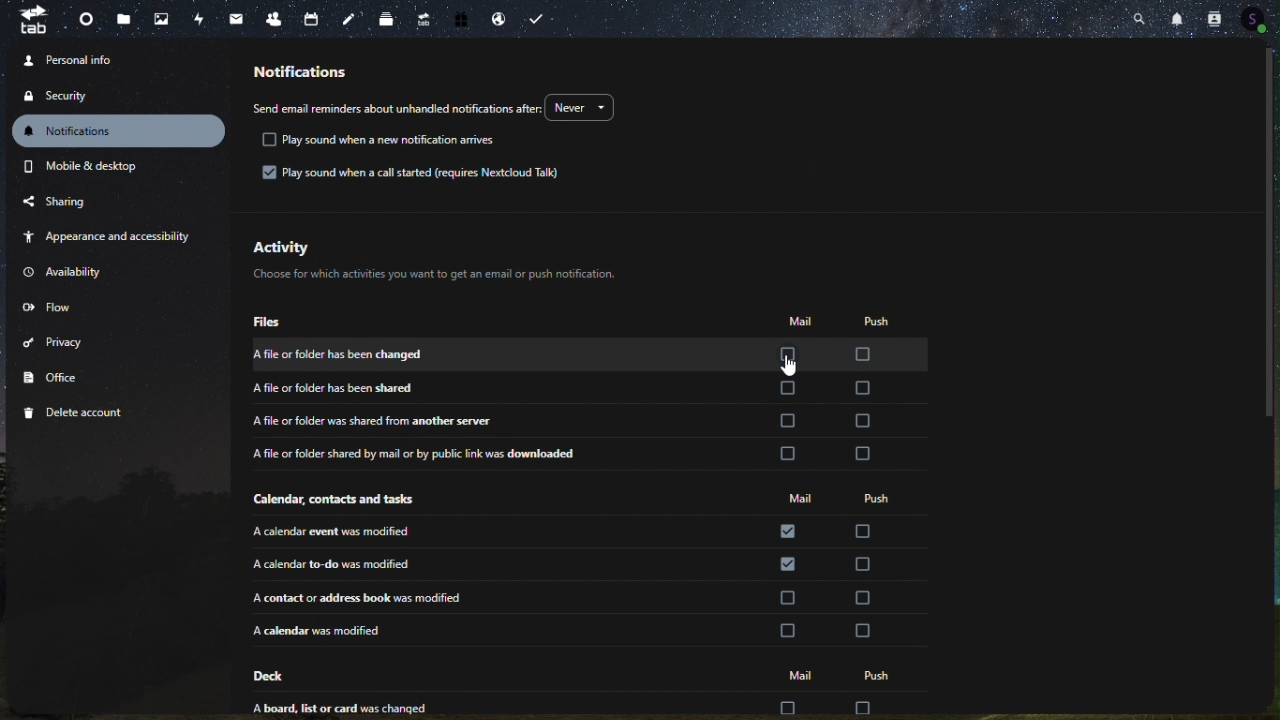 The height and width of the screenshot is (720, 1280). Describe the element at coordinates (863, 594) in the screenshot. I see `check box` at that location.